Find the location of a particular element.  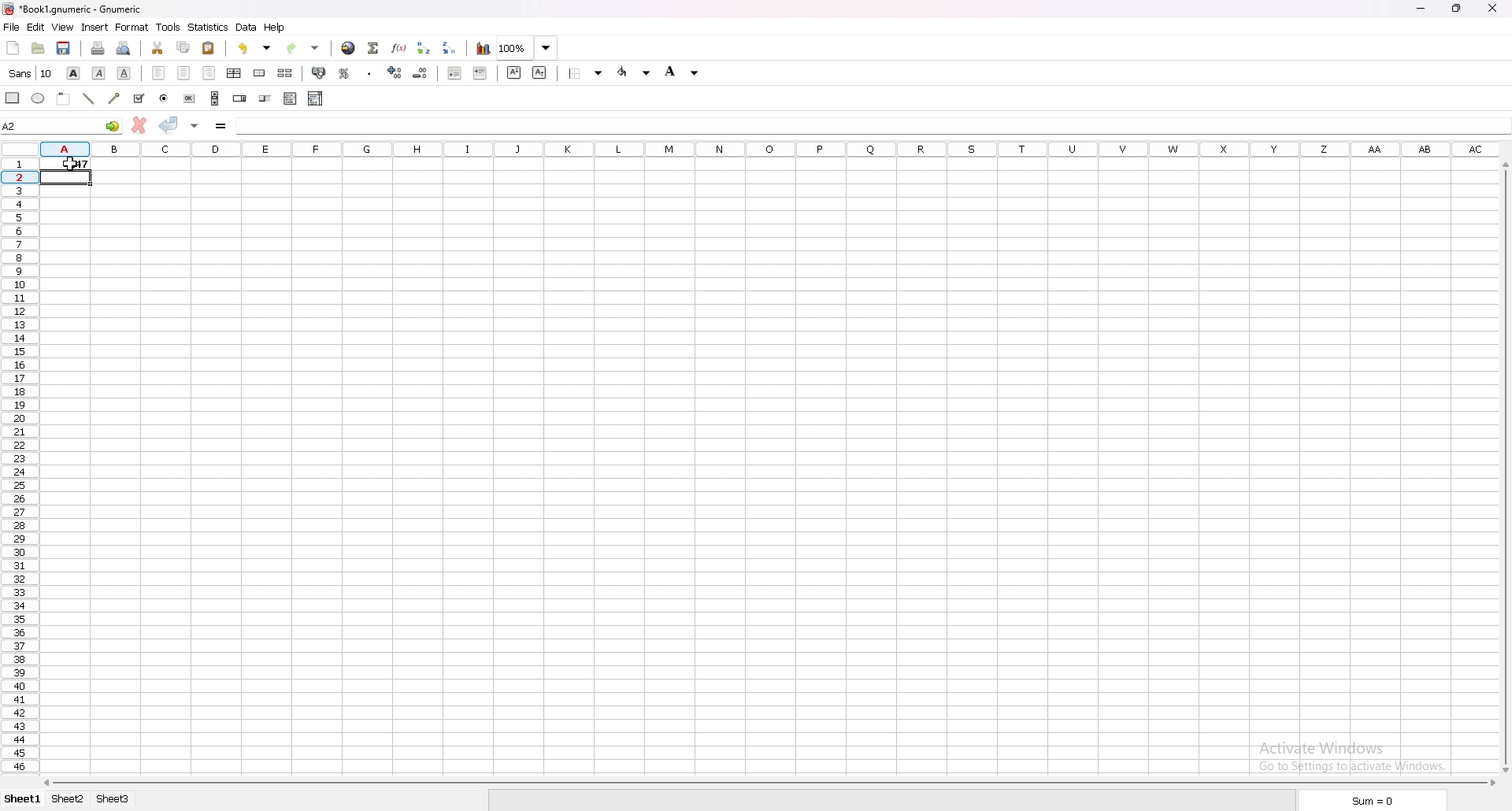

format is located at coordinates (132, 27).